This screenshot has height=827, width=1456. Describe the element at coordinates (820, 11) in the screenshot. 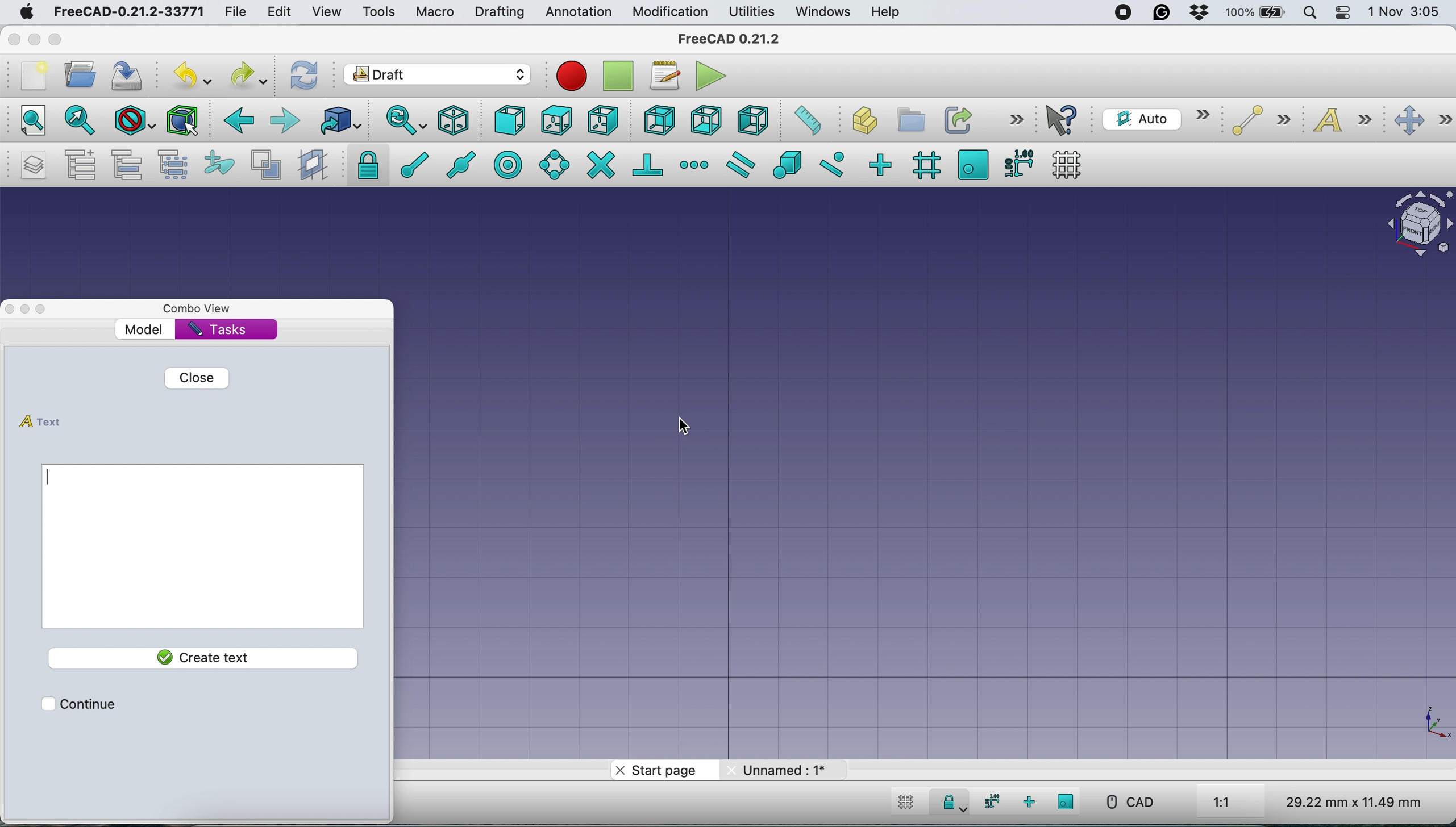

I see `windows` at that location.